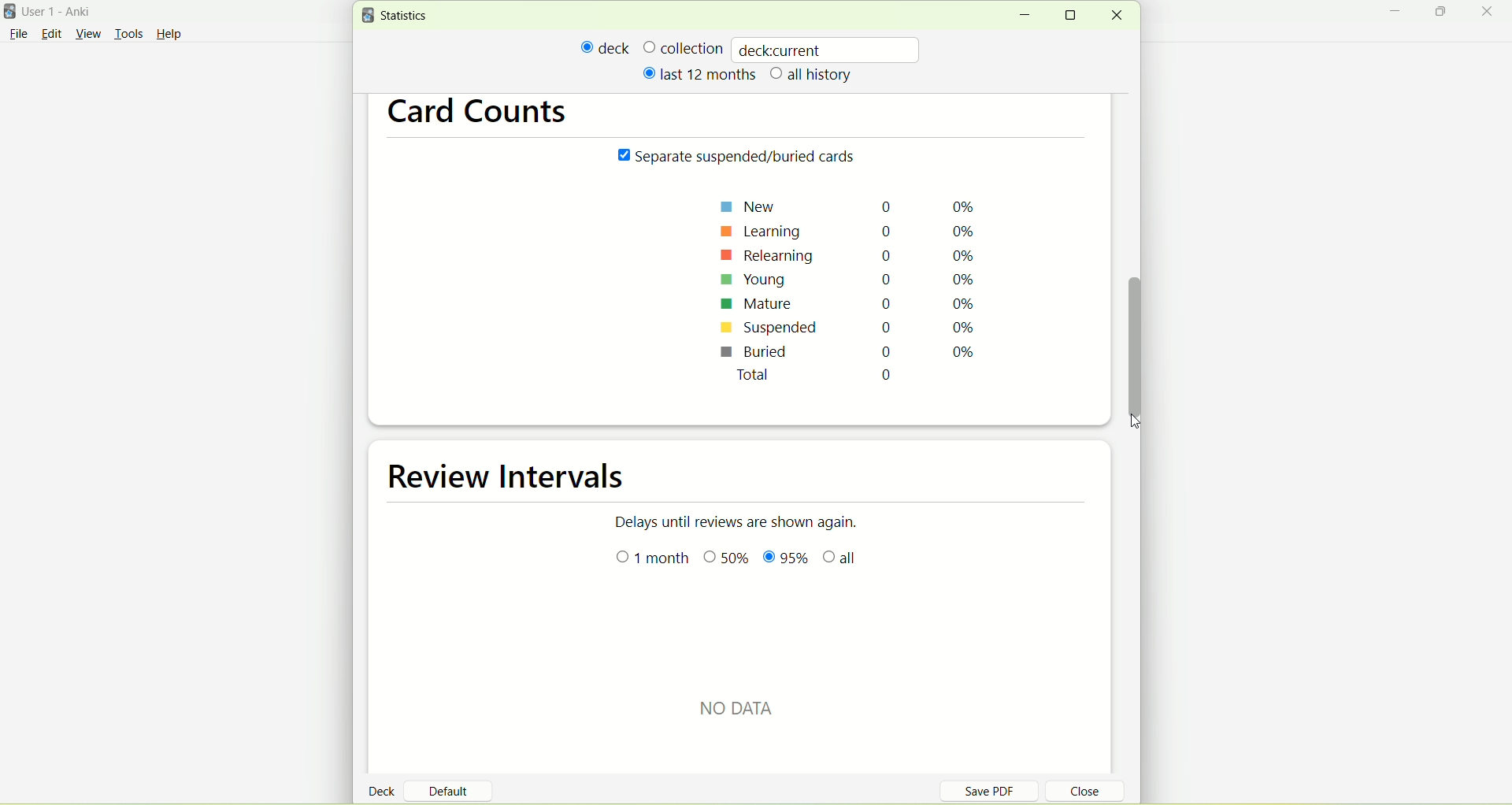 This screenshot has height=805, width=1512. Describe the element at coordinates (1443, 14) in the screenshot. I see `maximize` at that location.